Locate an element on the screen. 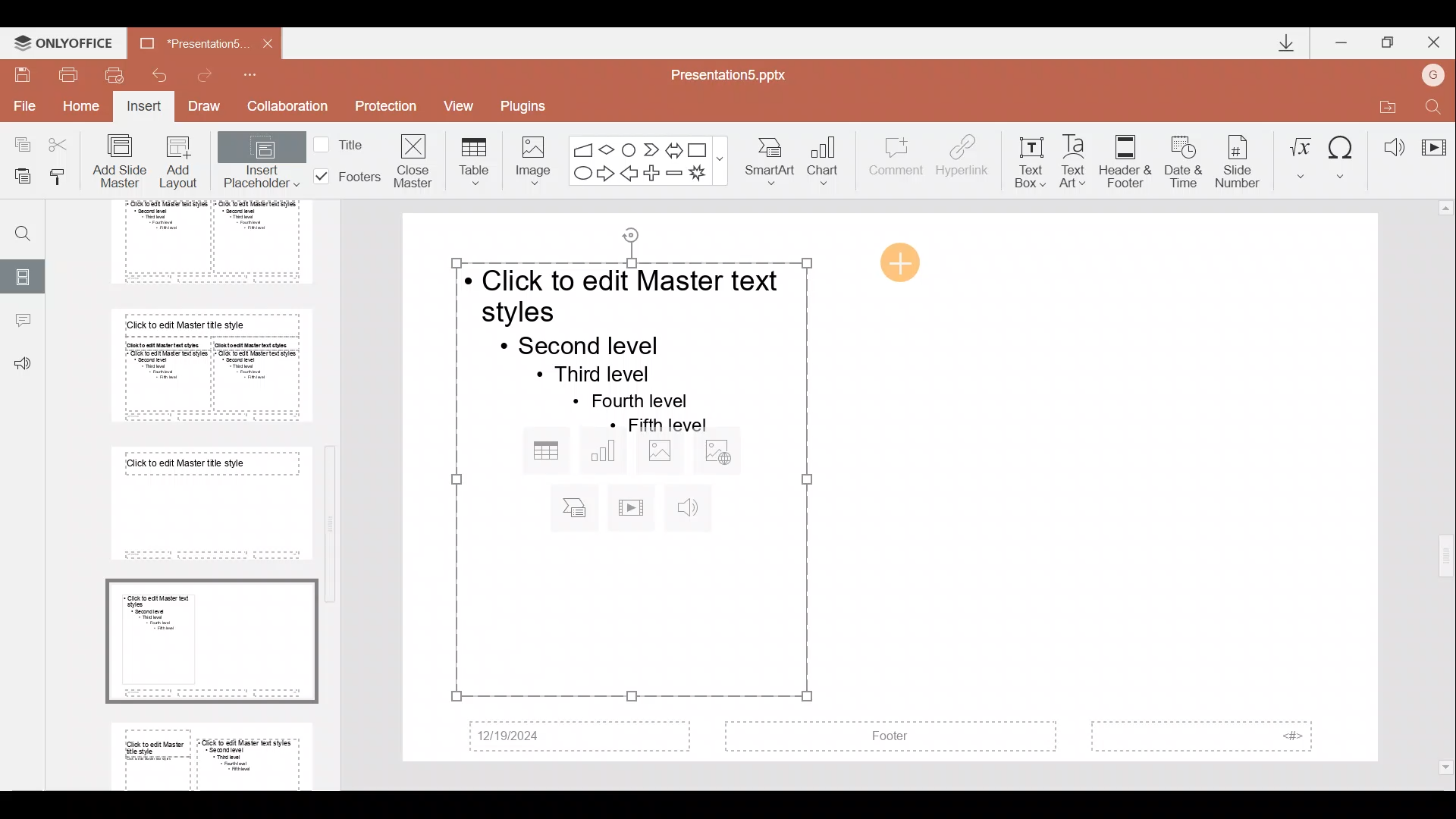 The width and height of the screenshot is (1456, 819). Slide number is located at coordinates (1241, 158).